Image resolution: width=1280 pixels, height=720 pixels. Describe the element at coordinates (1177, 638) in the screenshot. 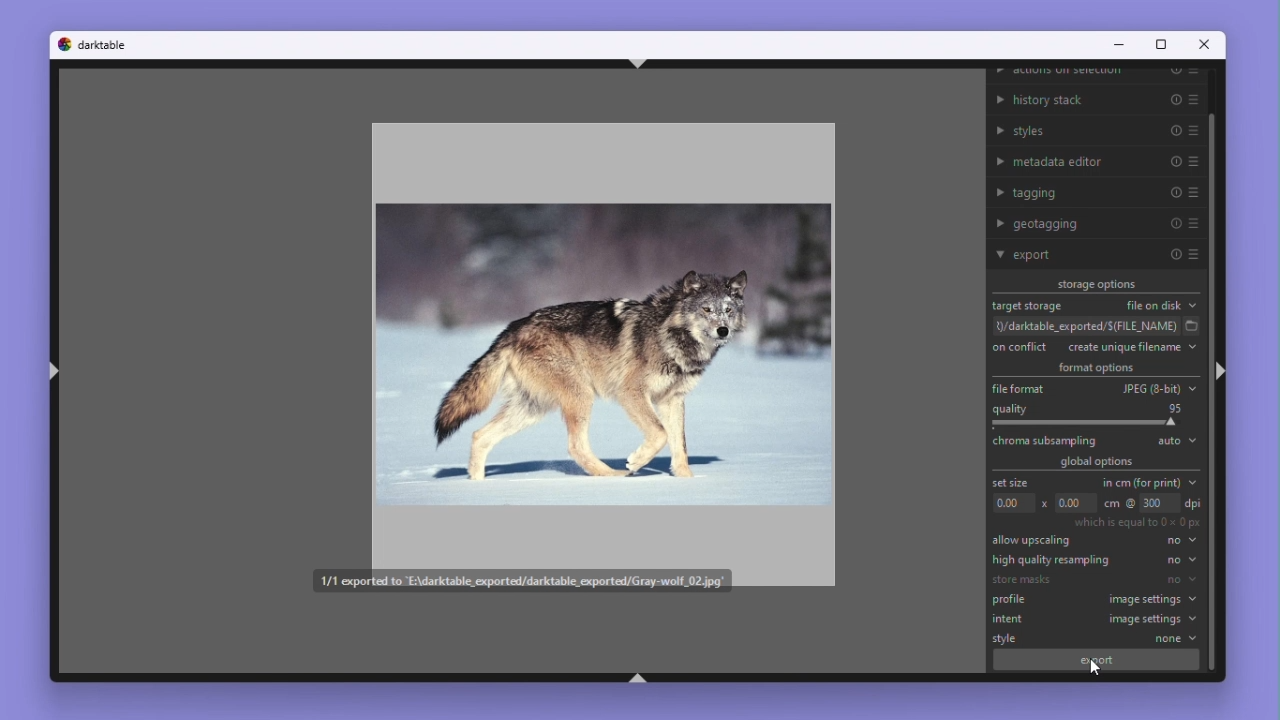

I see `none` at that location.